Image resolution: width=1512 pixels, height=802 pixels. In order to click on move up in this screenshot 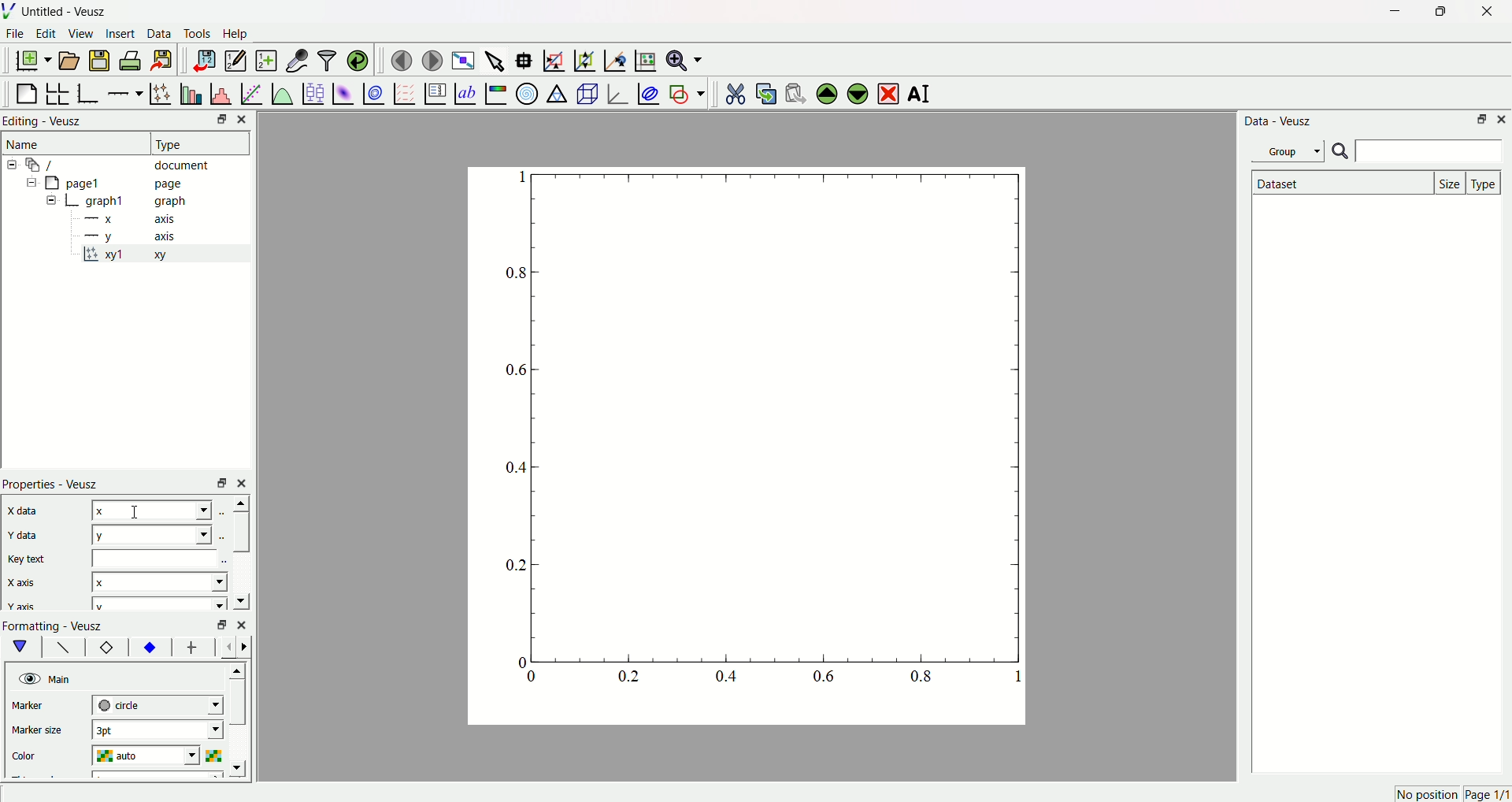, I will do `click(239, 668)`.